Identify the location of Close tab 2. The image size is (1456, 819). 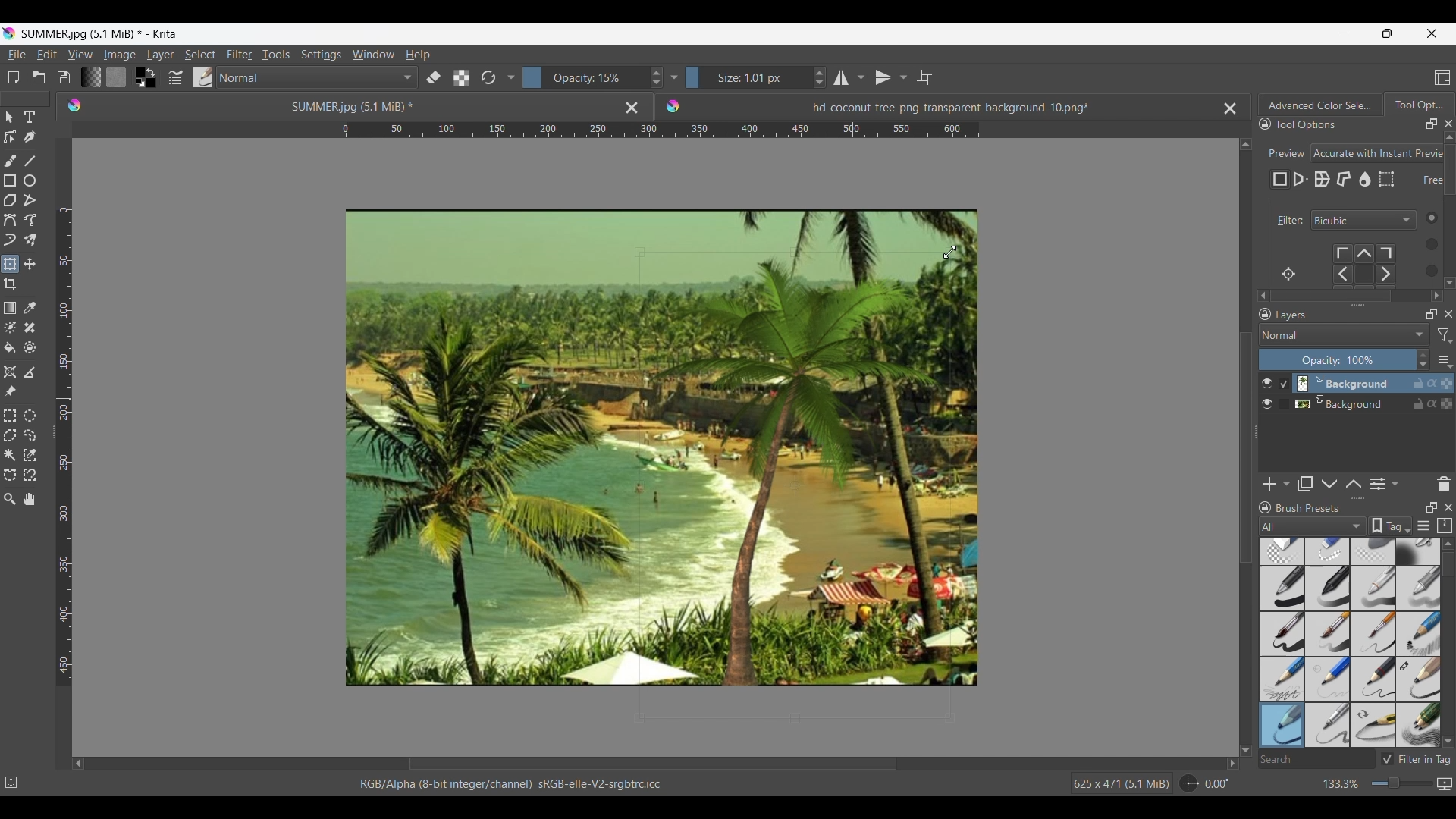
(1230, 108).